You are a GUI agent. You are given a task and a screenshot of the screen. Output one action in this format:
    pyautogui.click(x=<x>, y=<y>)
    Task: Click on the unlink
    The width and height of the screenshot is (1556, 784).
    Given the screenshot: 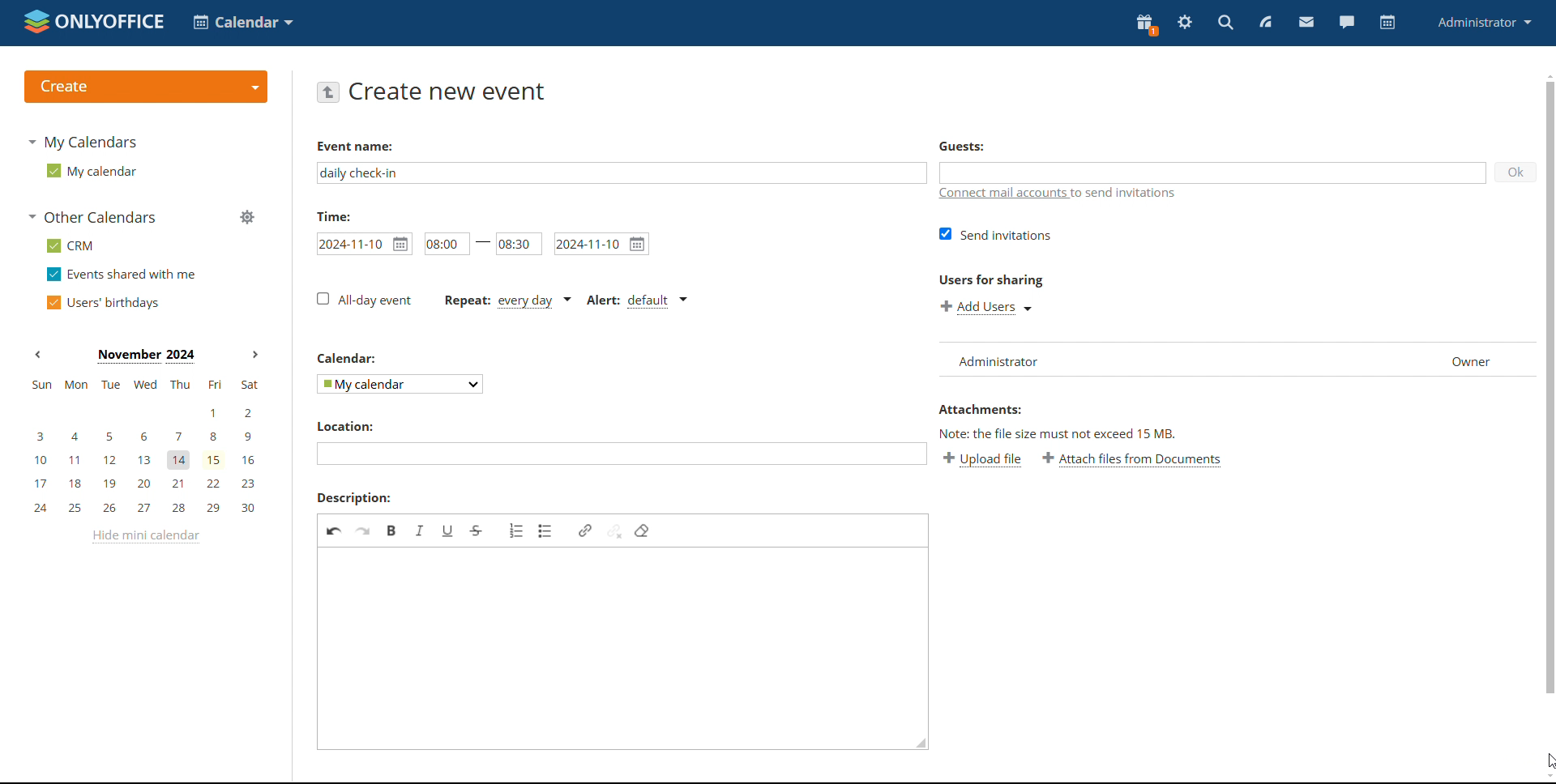 What is the action you would take?
    pyautogui.click(x=614, y=530)
    